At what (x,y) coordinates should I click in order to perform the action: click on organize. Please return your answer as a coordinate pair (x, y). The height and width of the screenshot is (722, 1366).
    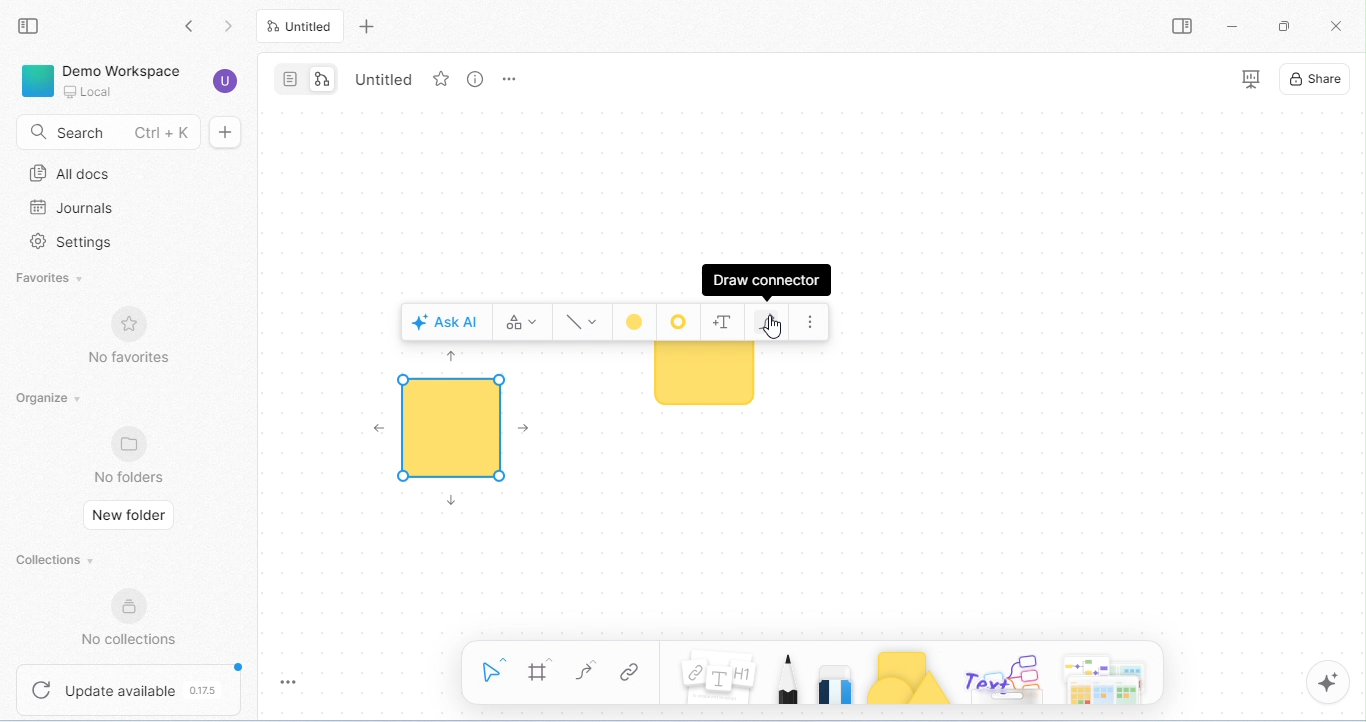
    Looking at the image, I should click on (51, 398).